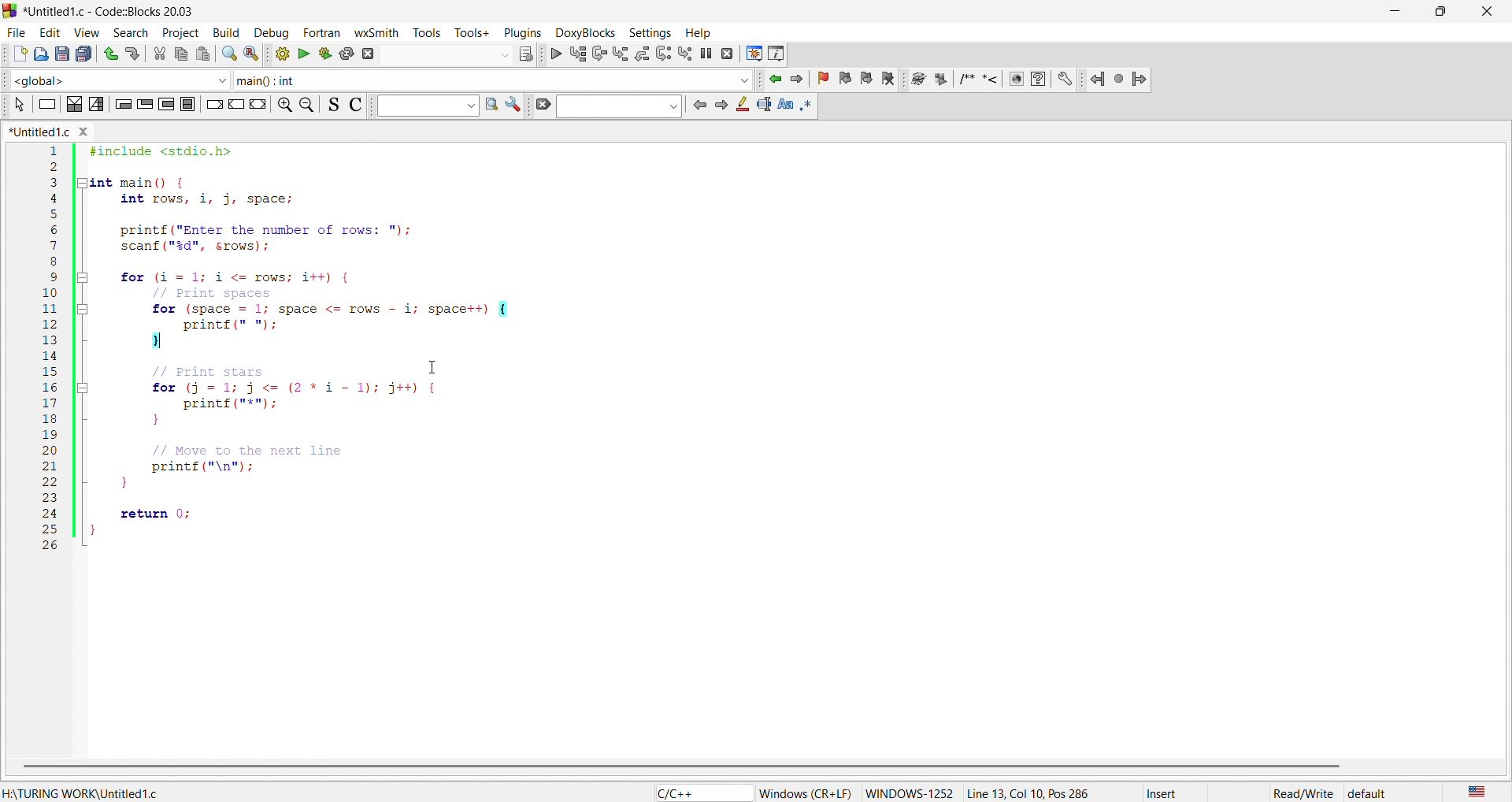 The image size is (1512, 802). What do you see at coordinates (157, 54) in the screenshot?
I see `cut` at bounding box center [157, 54].